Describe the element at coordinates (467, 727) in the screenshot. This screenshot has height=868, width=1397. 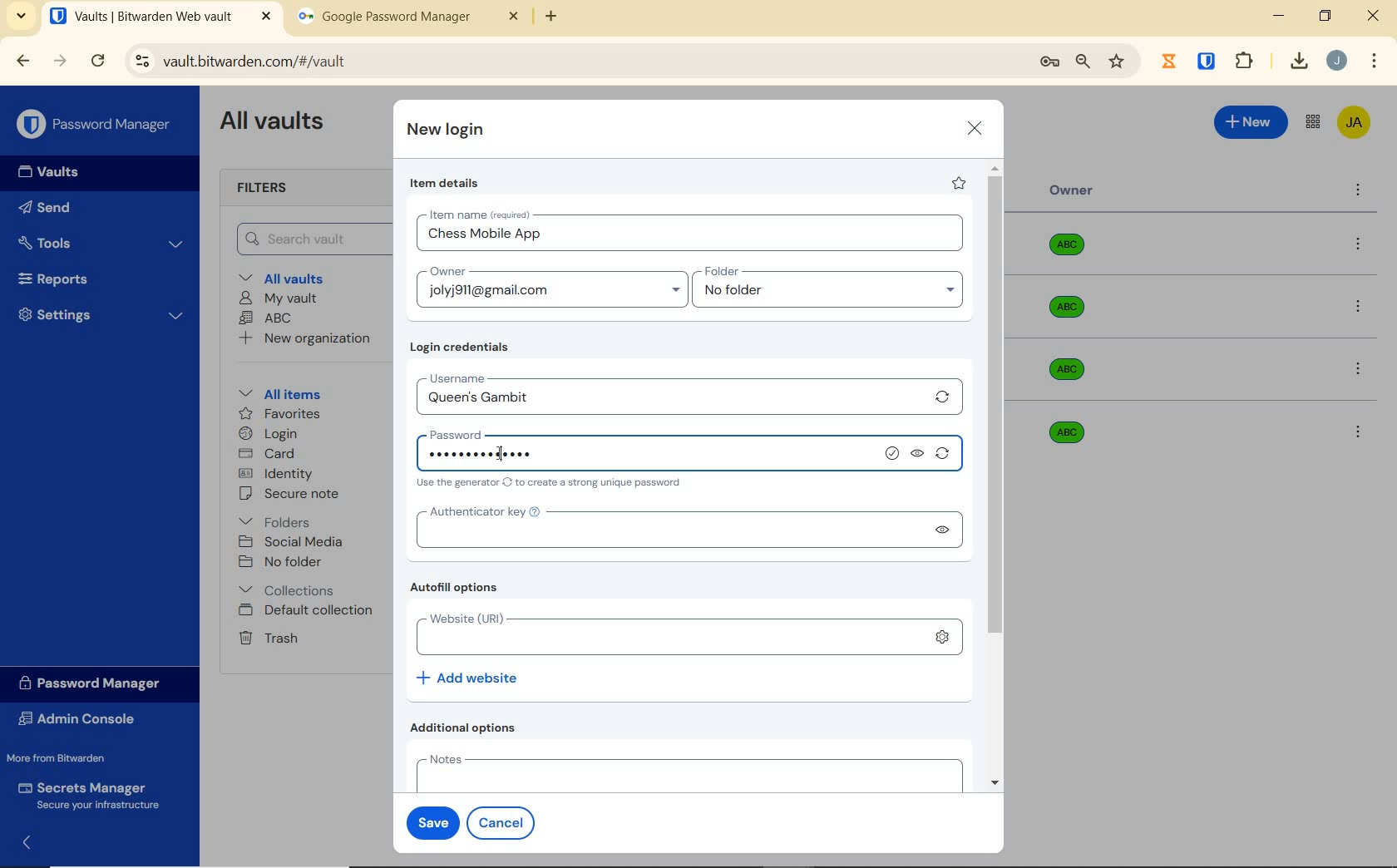
I see `dditional options` at that location.